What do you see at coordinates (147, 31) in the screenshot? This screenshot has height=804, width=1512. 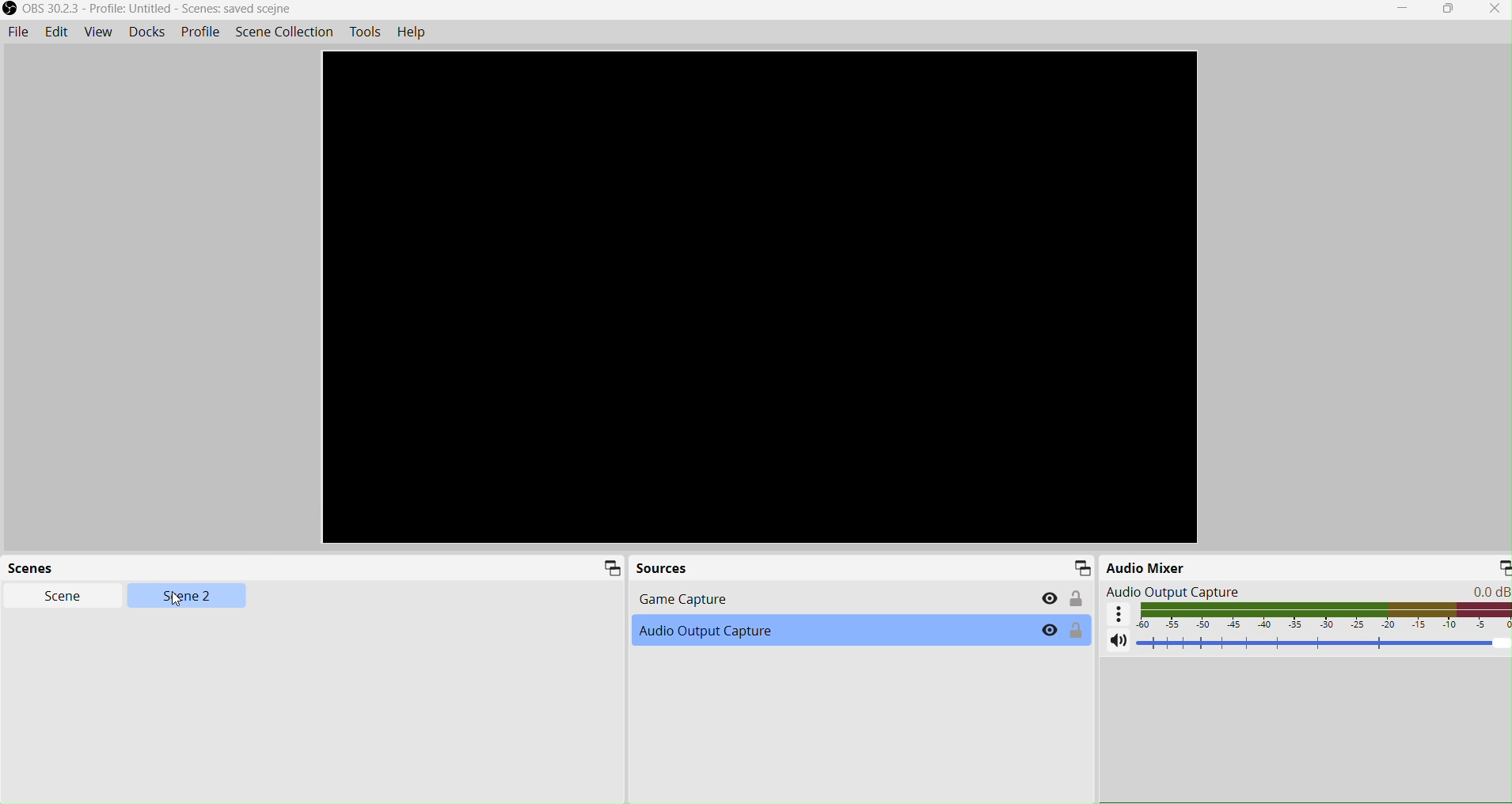 I see `Docks` at bounding box center [147, 31].